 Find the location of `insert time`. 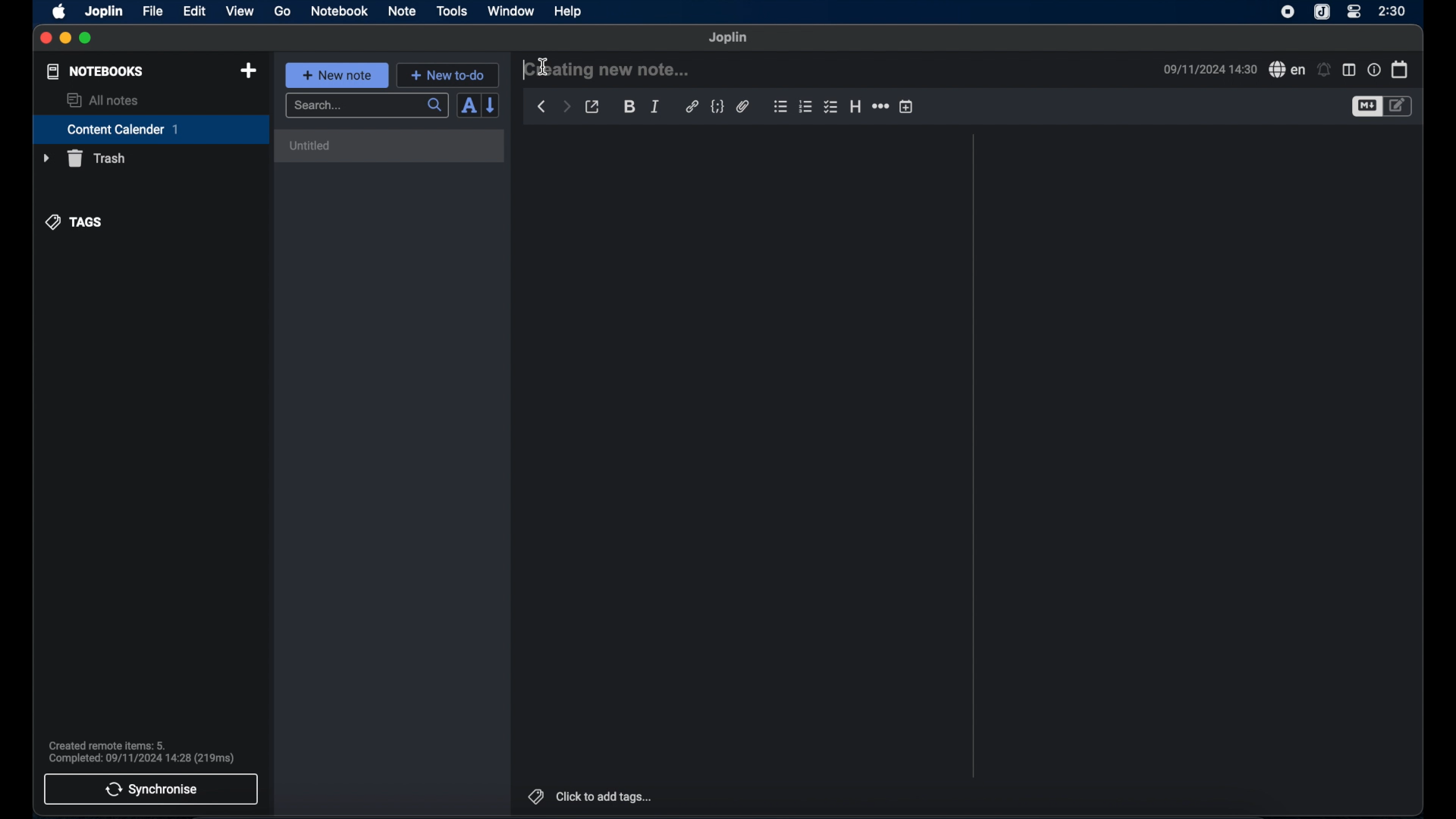

insert time is located at coordinates (906, 106).